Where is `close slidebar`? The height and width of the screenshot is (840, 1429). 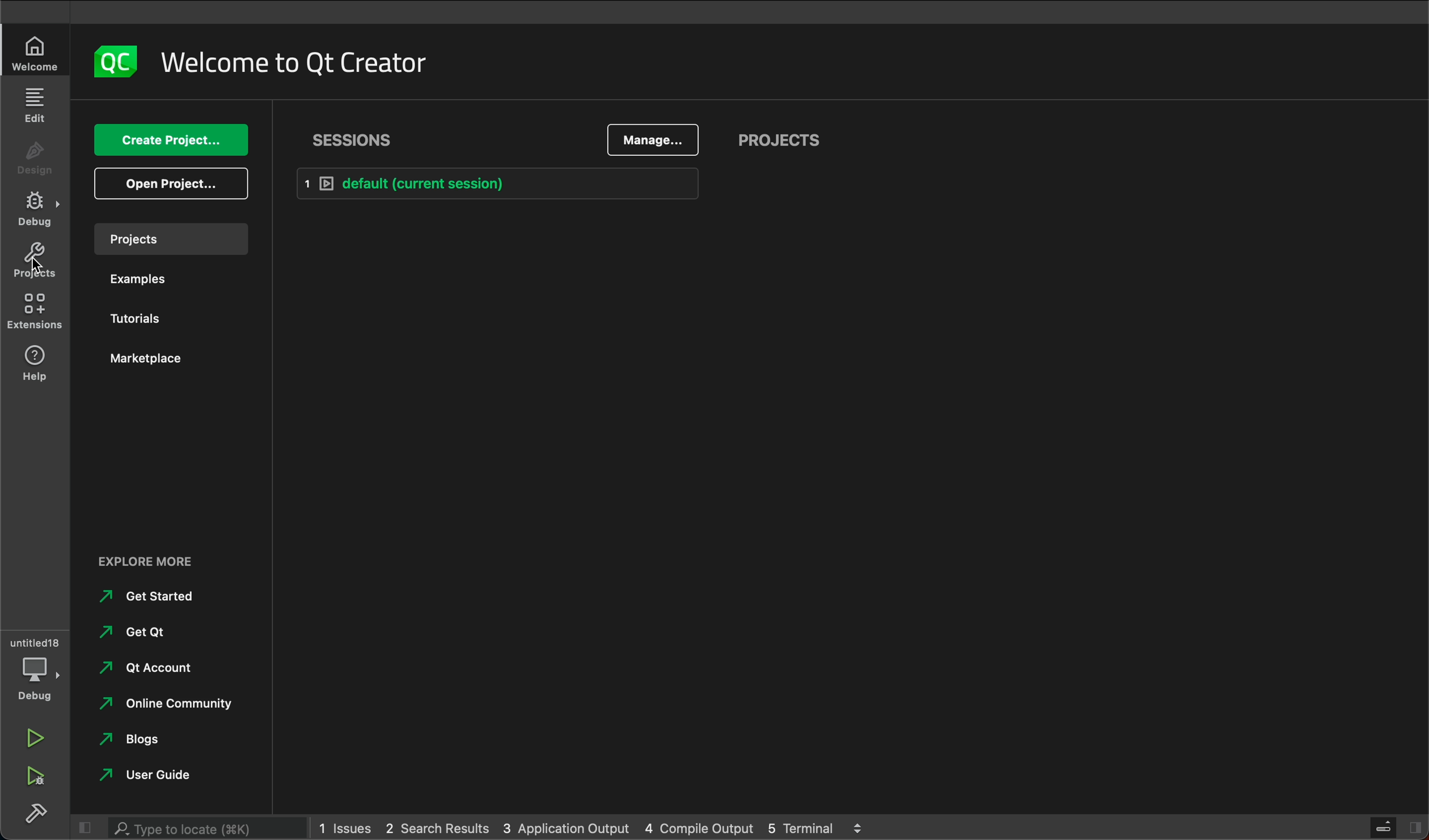
close slidebar is located at coordinates (88, 828).